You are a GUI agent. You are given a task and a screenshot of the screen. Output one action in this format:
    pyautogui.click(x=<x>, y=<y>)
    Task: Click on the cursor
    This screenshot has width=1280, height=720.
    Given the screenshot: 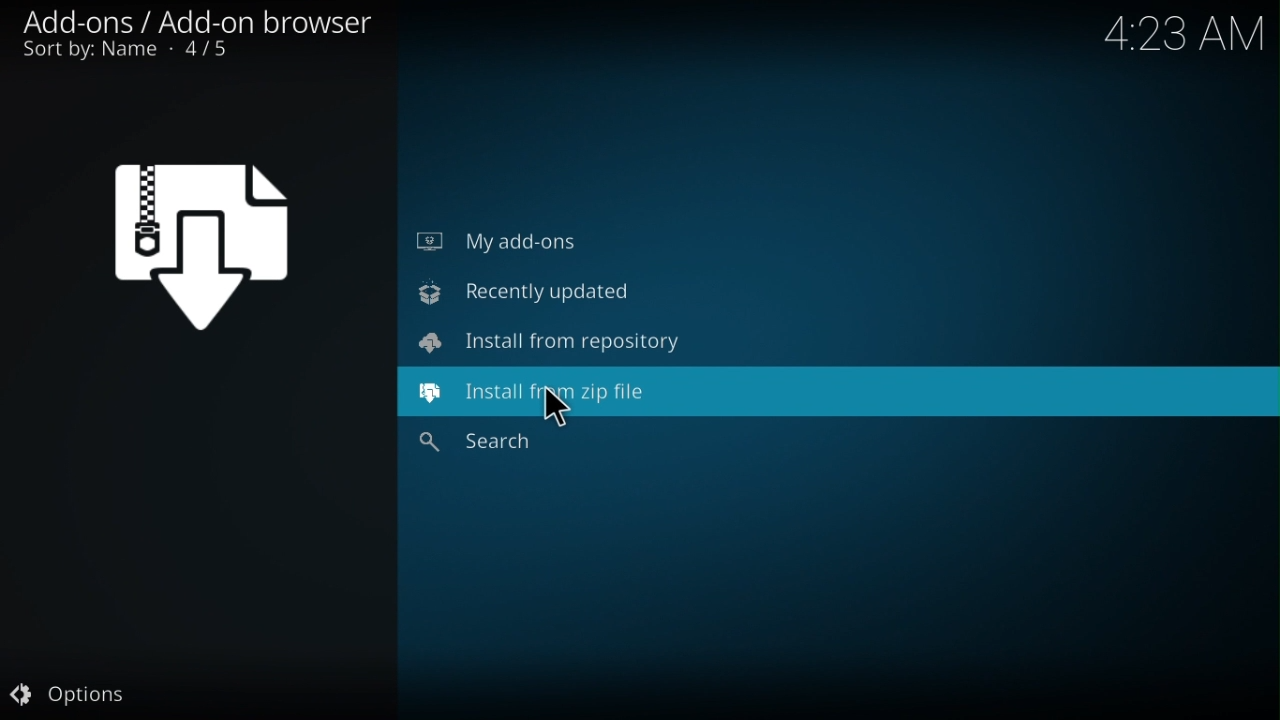 What is the action you would take?
    pyautogui.click(x=550, y=411)
    